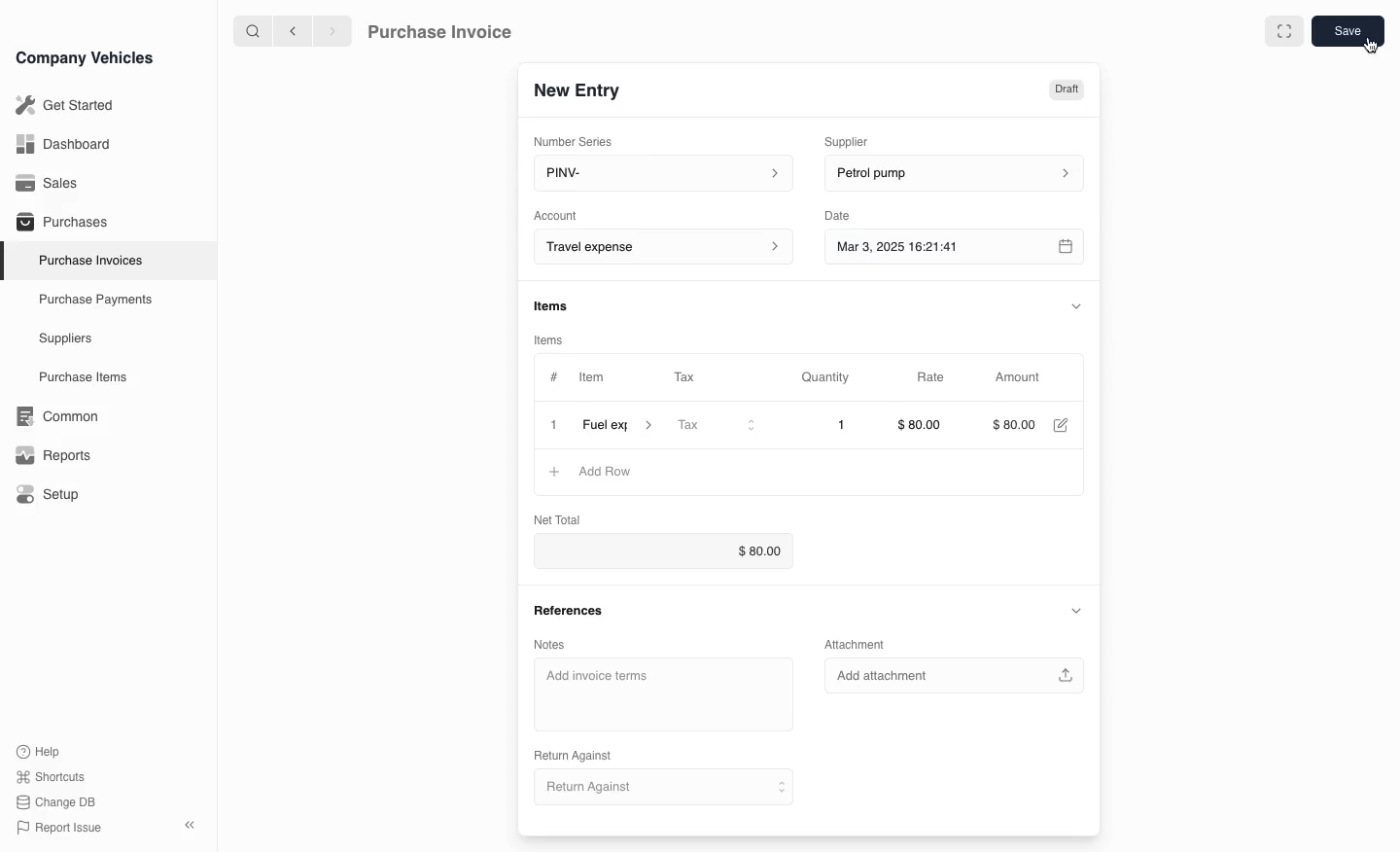  Describe the element at coordinates (660, 247) in the screenshot. I see `Account` at that location.